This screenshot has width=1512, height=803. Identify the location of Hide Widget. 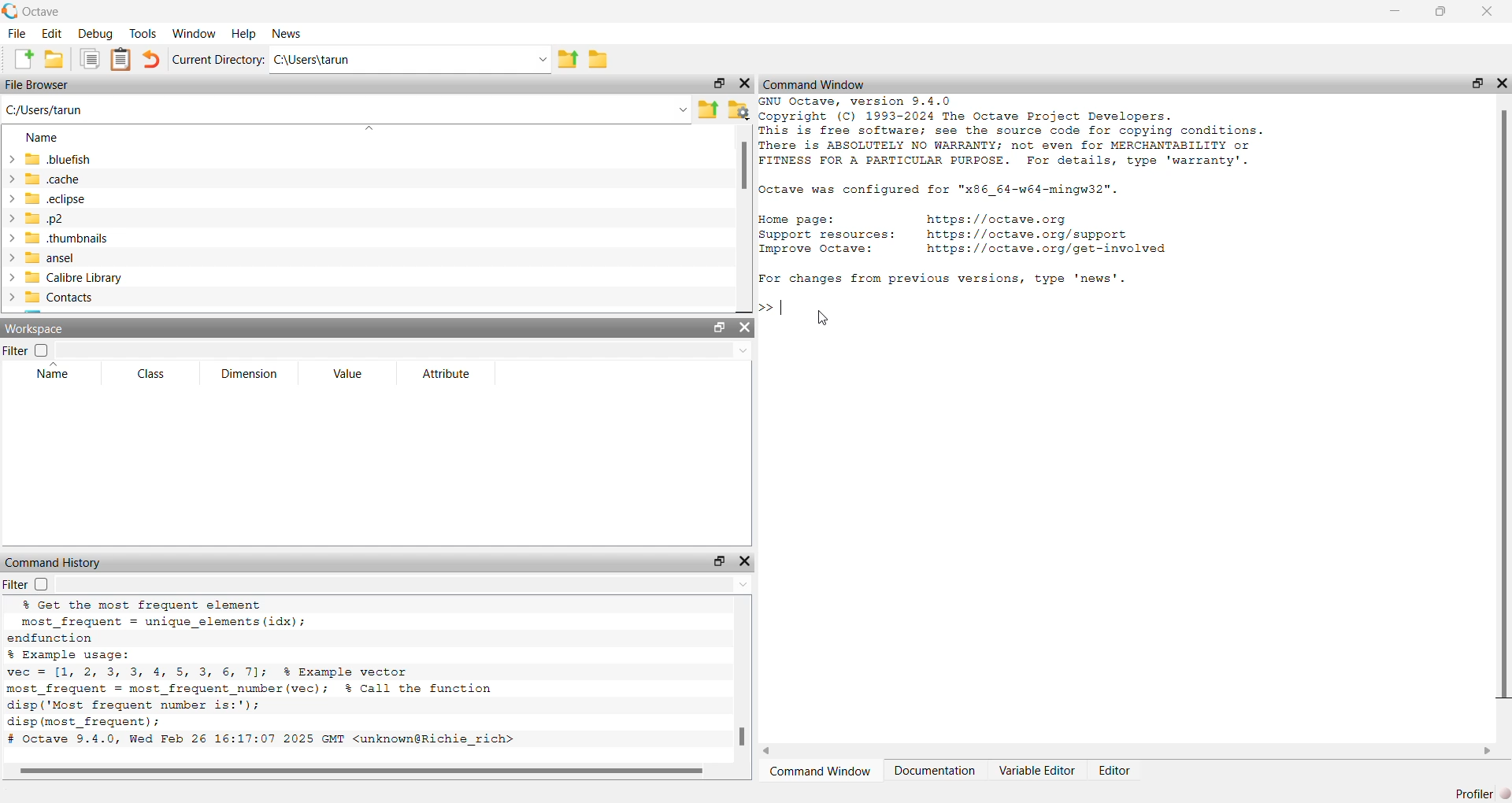
(744, 327).